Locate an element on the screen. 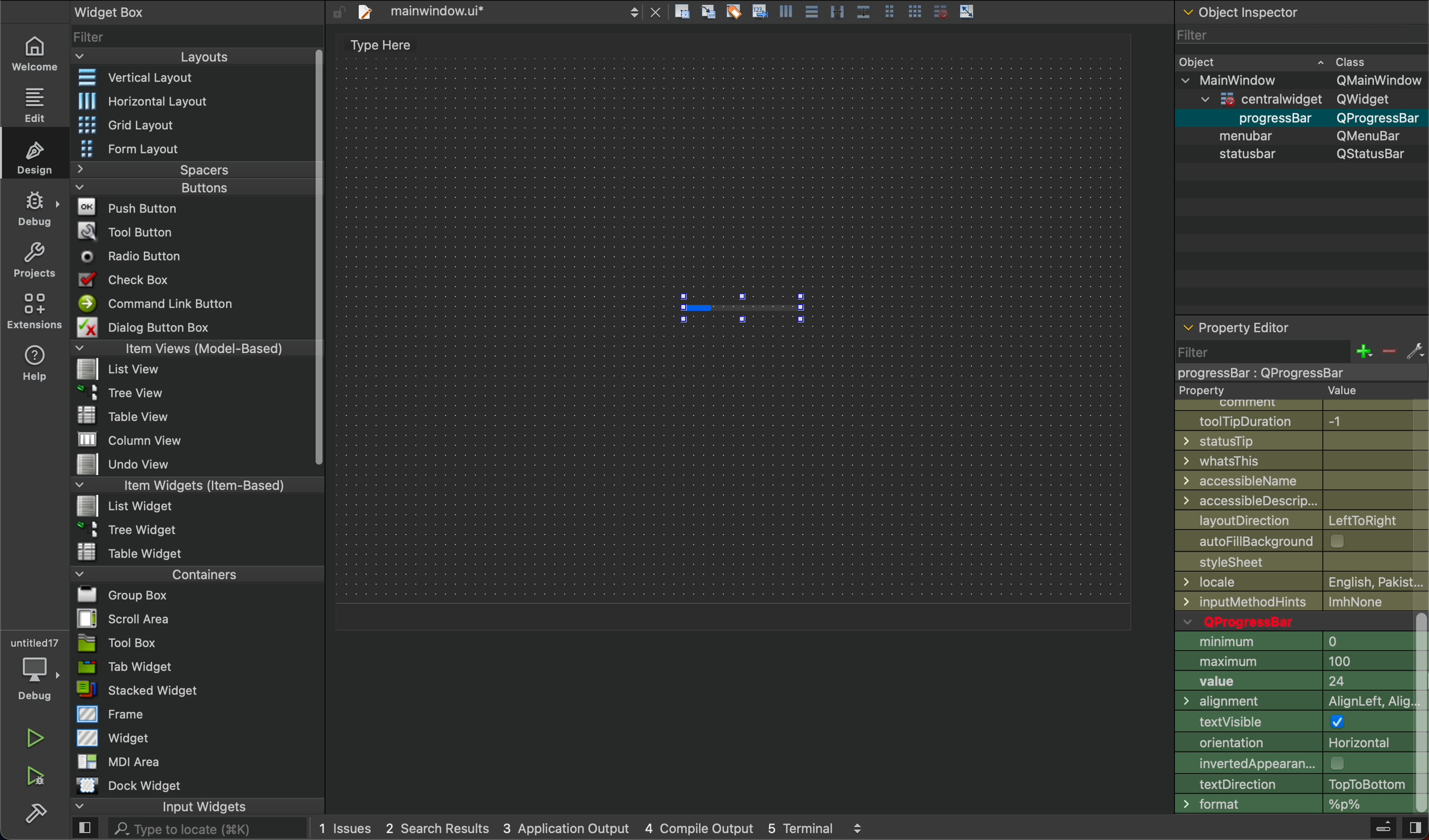 Image resolution: width=1429 pixels, height=840 pixels. Layout is located at coordinates (183, 57).